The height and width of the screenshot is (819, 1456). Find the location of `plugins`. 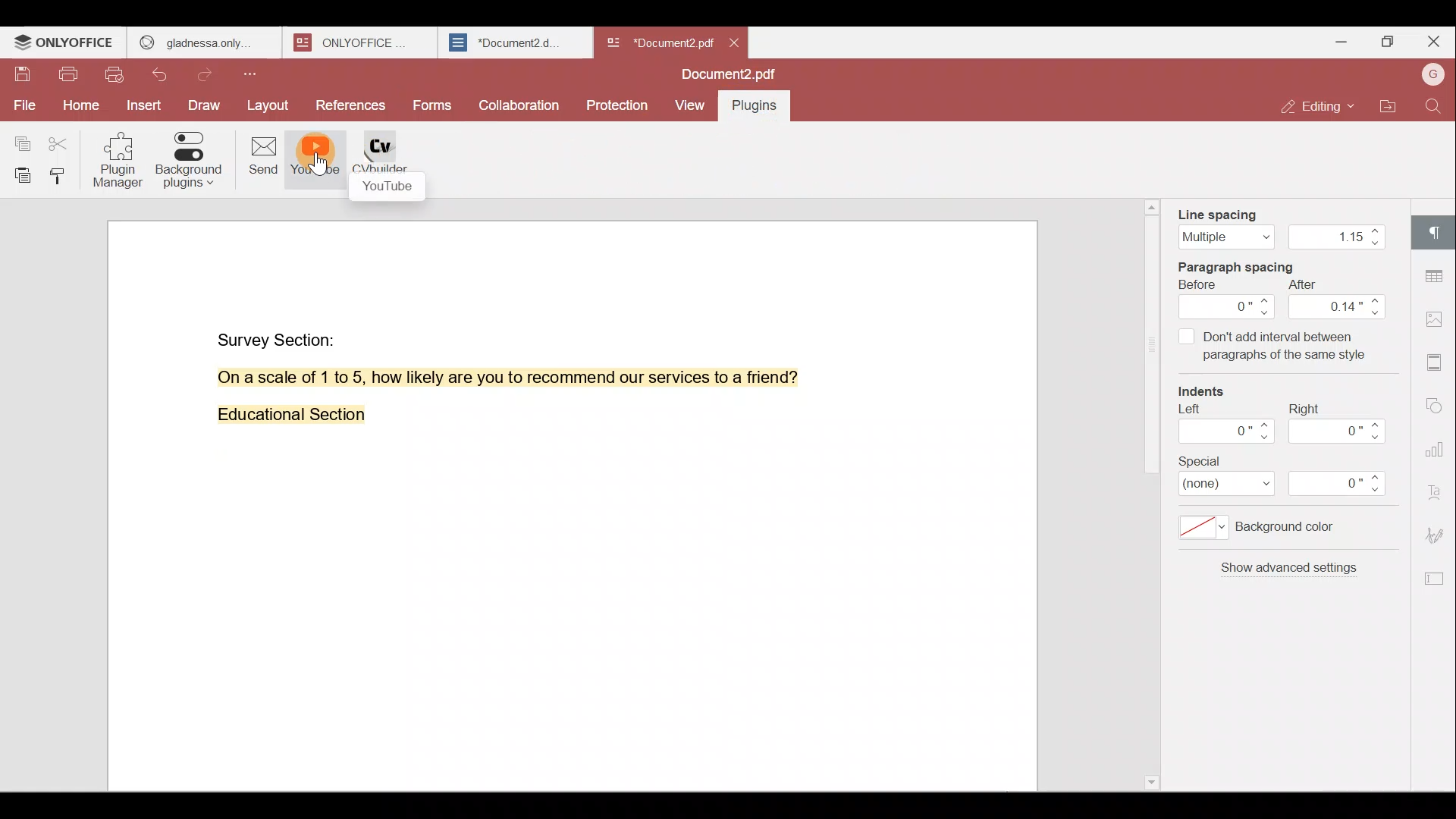

plugins is located at coordinates (762, 108).